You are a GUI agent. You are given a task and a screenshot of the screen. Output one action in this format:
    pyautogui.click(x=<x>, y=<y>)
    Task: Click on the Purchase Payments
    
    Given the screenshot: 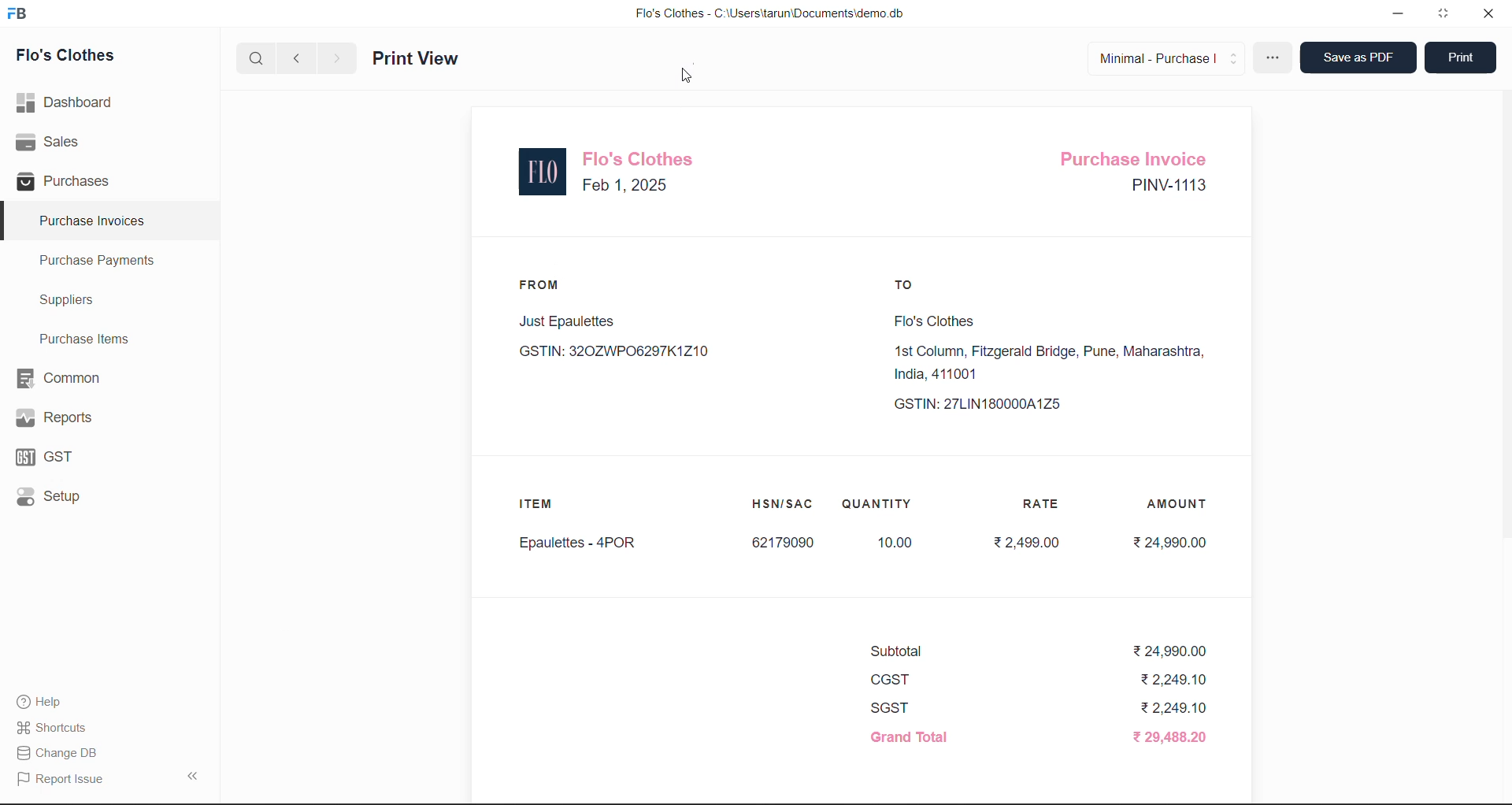 What is the action you would take?
    pyautogui.click(x=103, y=261)
    